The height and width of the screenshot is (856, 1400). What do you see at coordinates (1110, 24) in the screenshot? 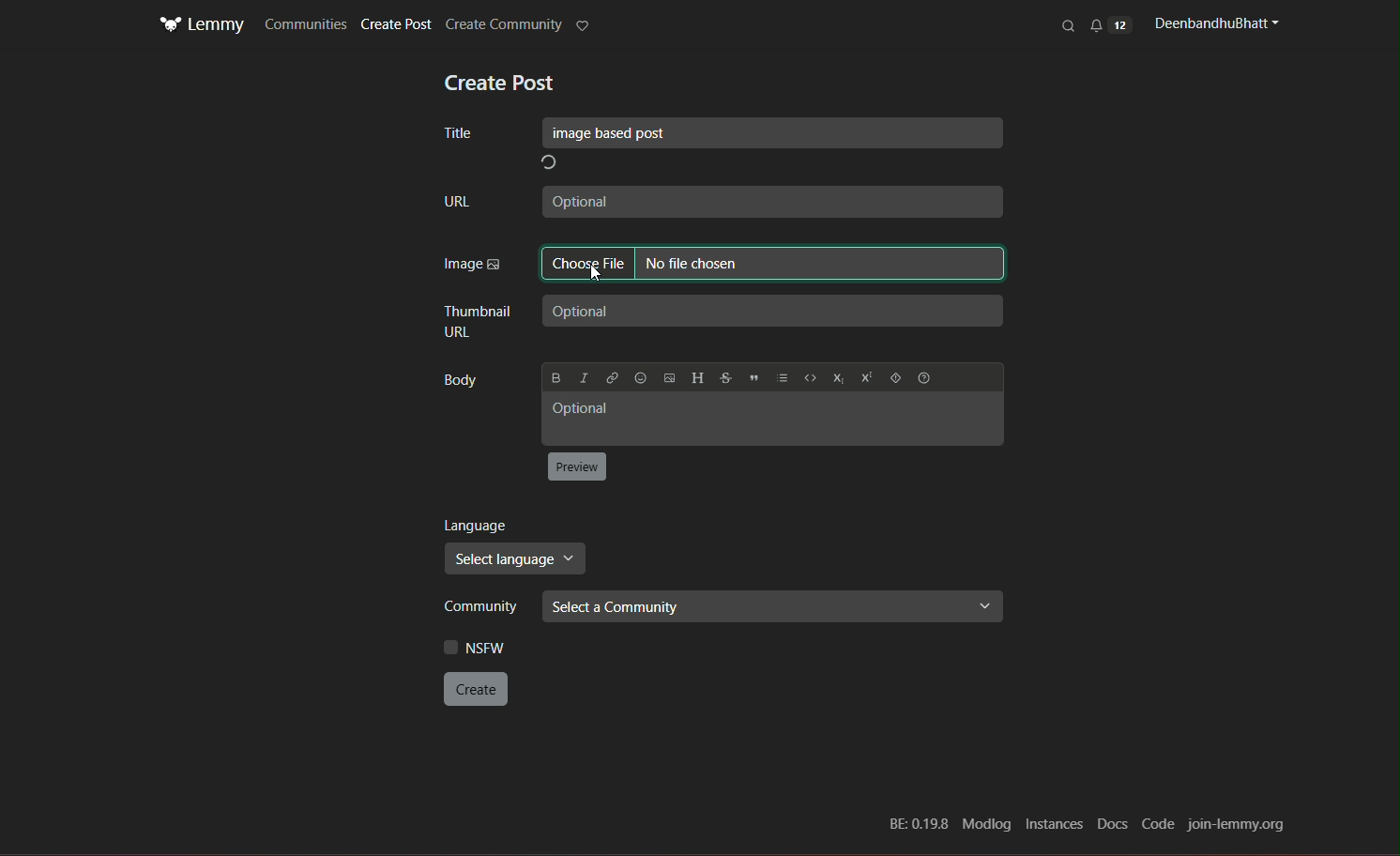
I see `notification` at bounding box center [1110, 24].